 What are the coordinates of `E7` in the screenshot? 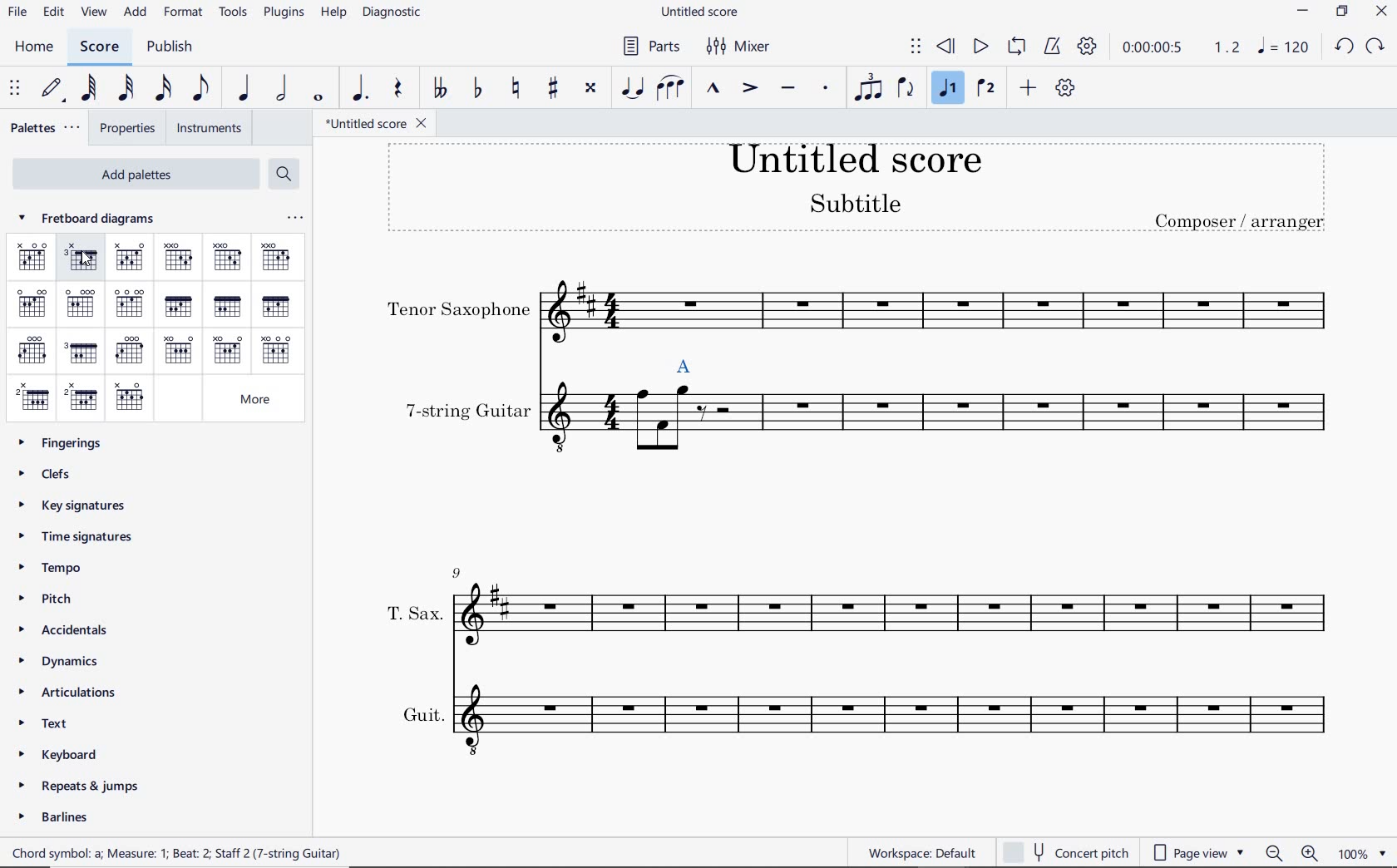 It's located at (131, 303).